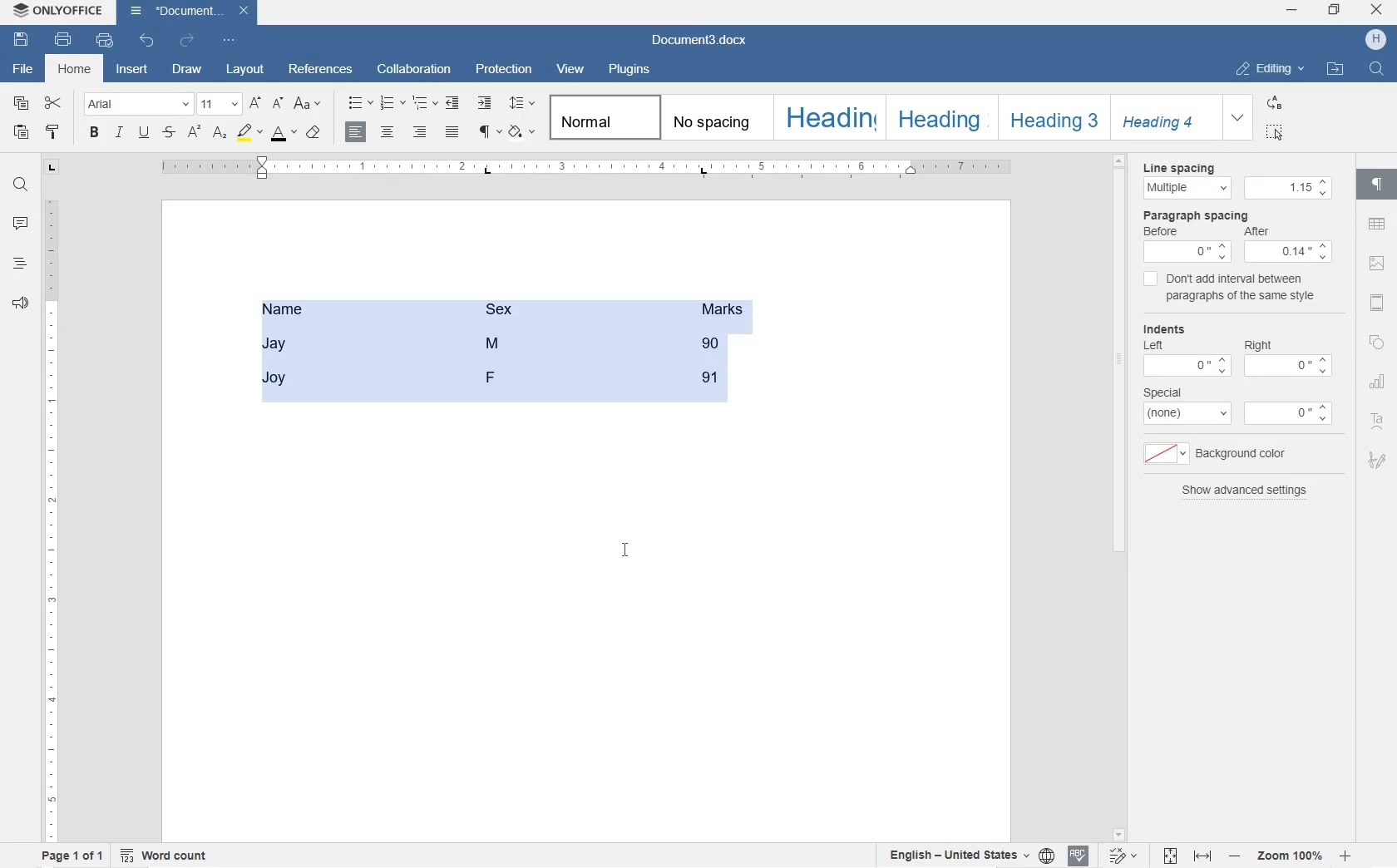  What do you see at coordinates (19, 224) in the screenshot?
I see `COMMENT` at bounding box center [19, 224].